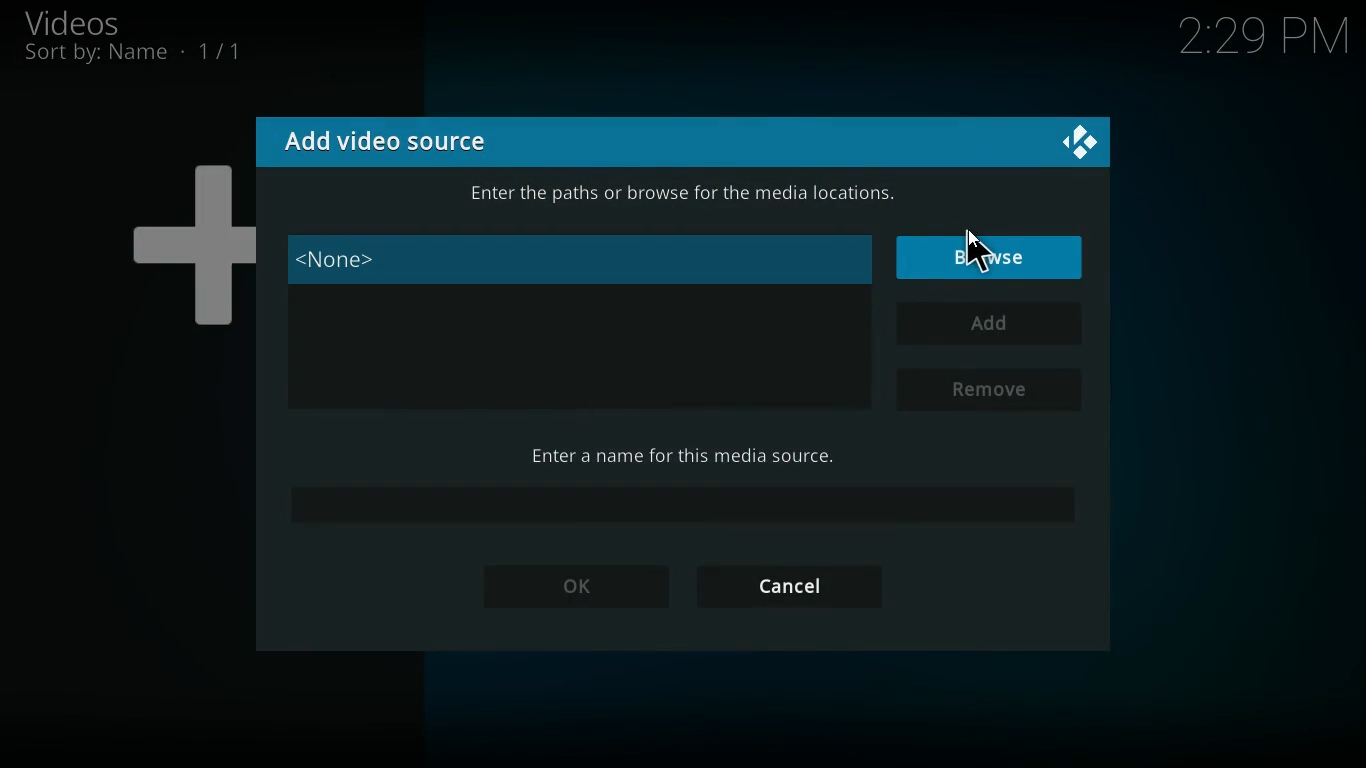 This screenshot has height=768, width=1366. What do you see at coordinates (1264, 32) in the screenshot?
I see `2:29 PM` at bounding box center [1264, 32].